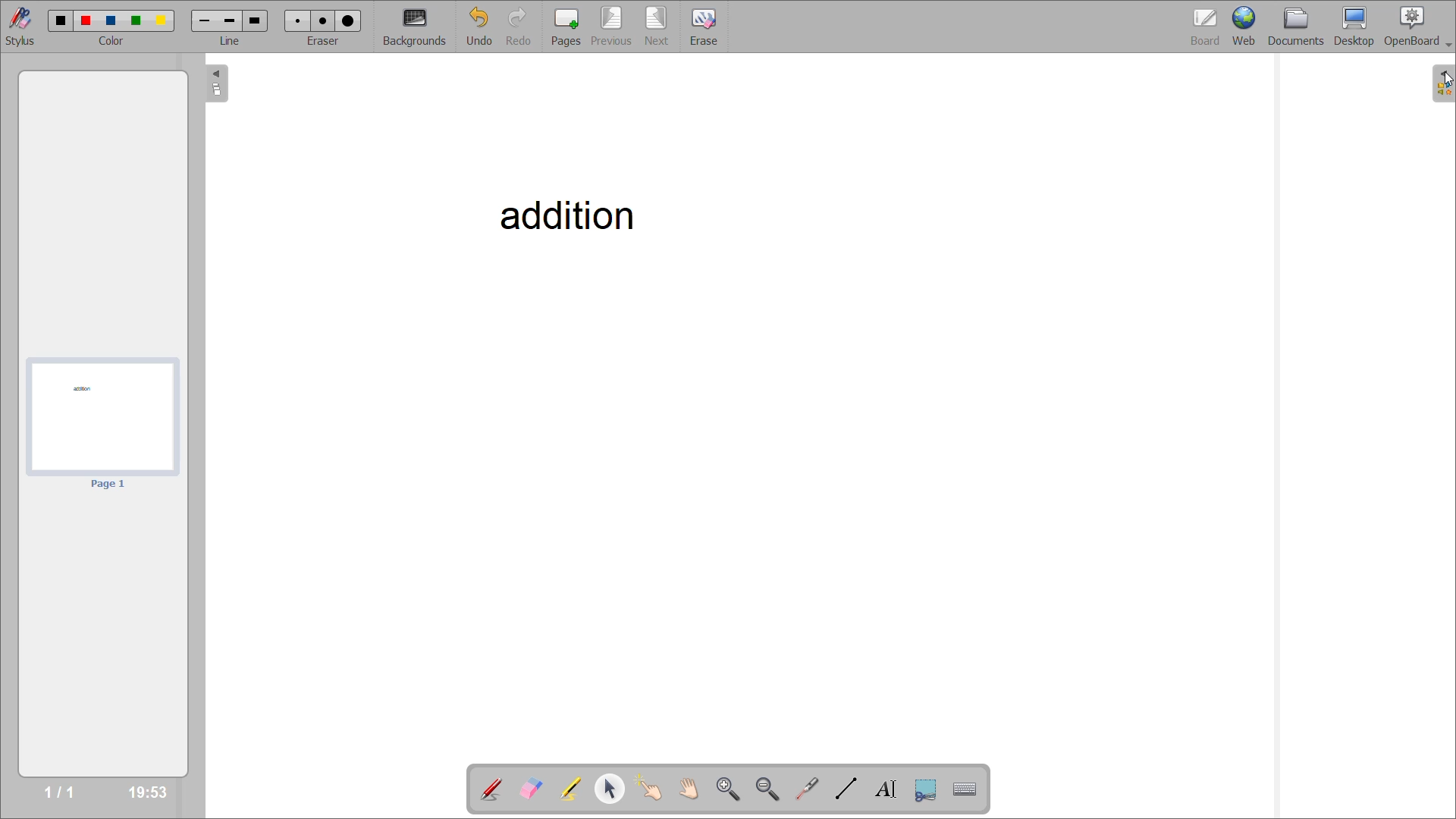 The image size is (1456, 819). Describe the element at coordinates (349, 20) in the screenshot. I see `eraser 3` at that location.